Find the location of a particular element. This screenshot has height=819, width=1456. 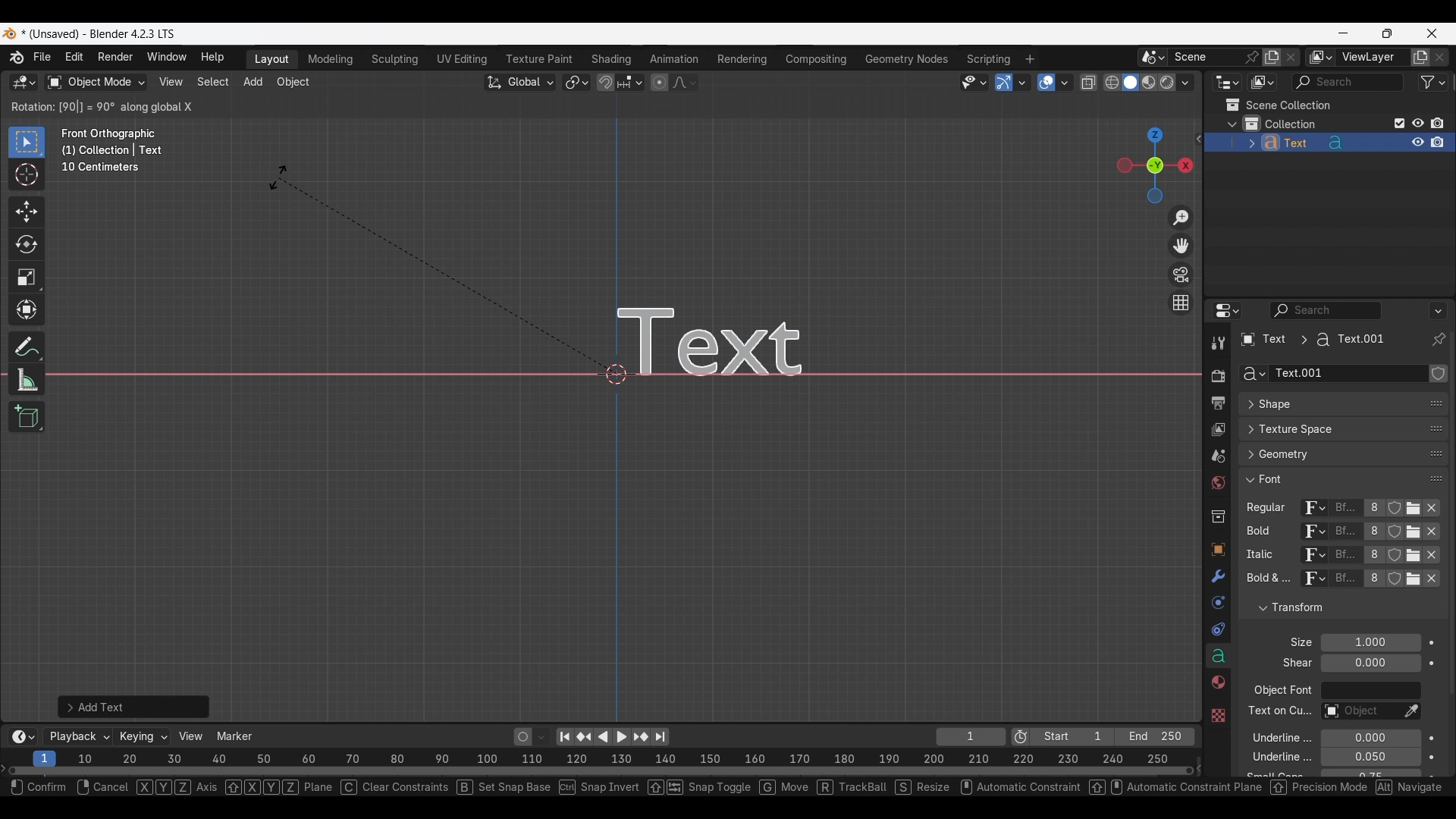

Cursor is located at coordinates (27, 176).